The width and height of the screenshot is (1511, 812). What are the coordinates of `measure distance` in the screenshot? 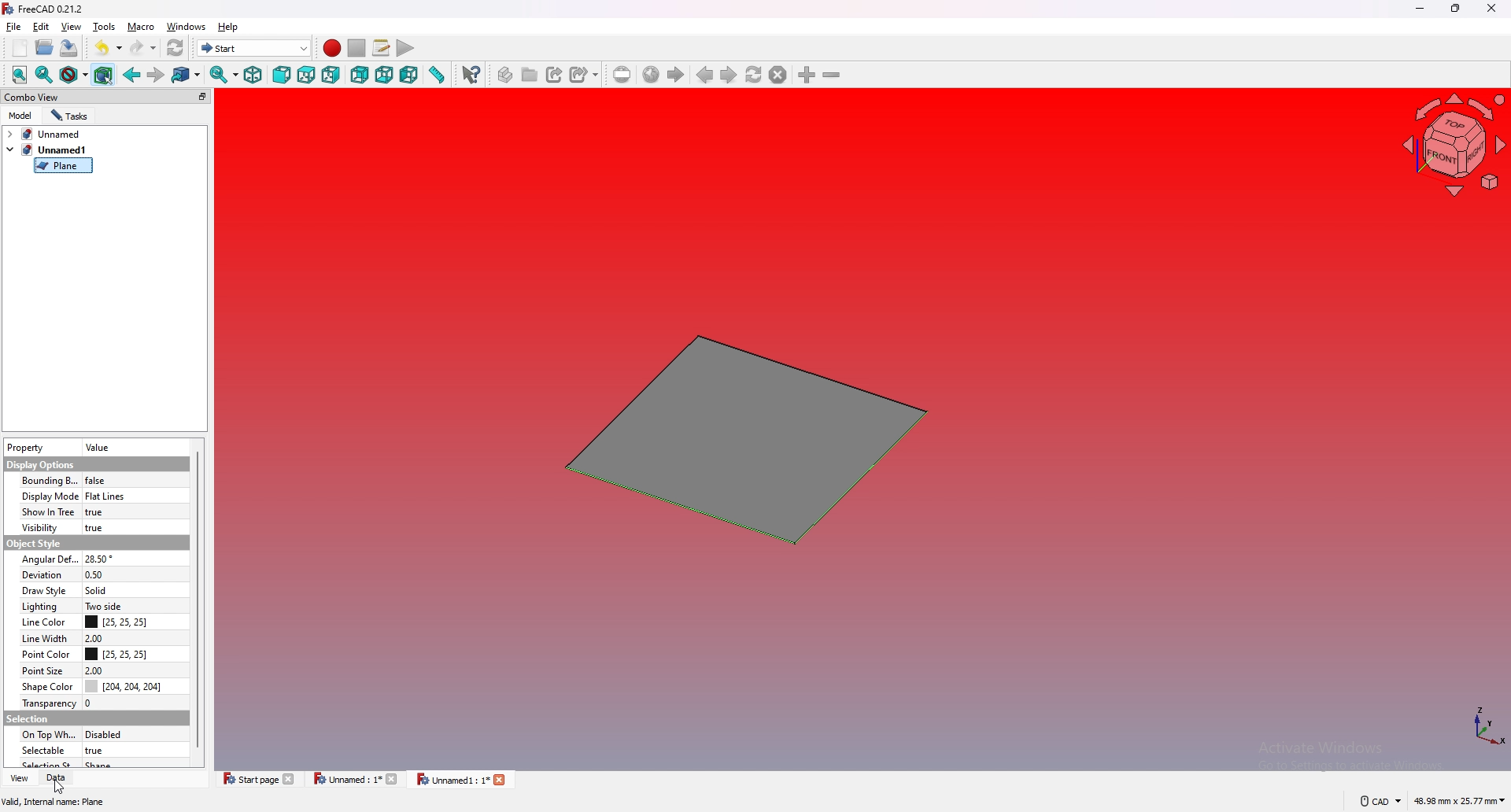 It's located at (436, 74).